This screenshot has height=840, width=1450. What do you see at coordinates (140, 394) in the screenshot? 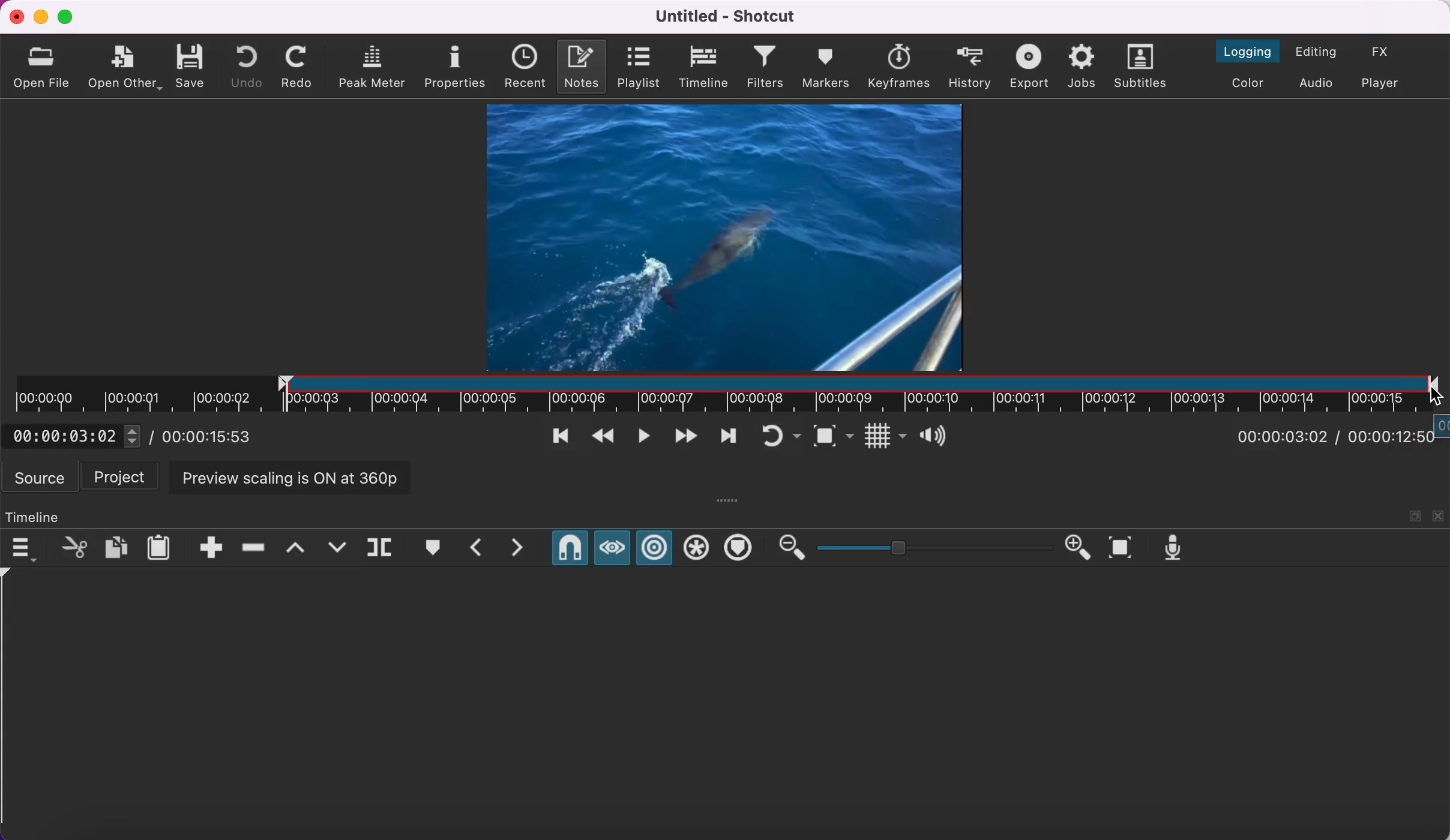
I see `unclipped timeline` at bounding box center [140, 394].